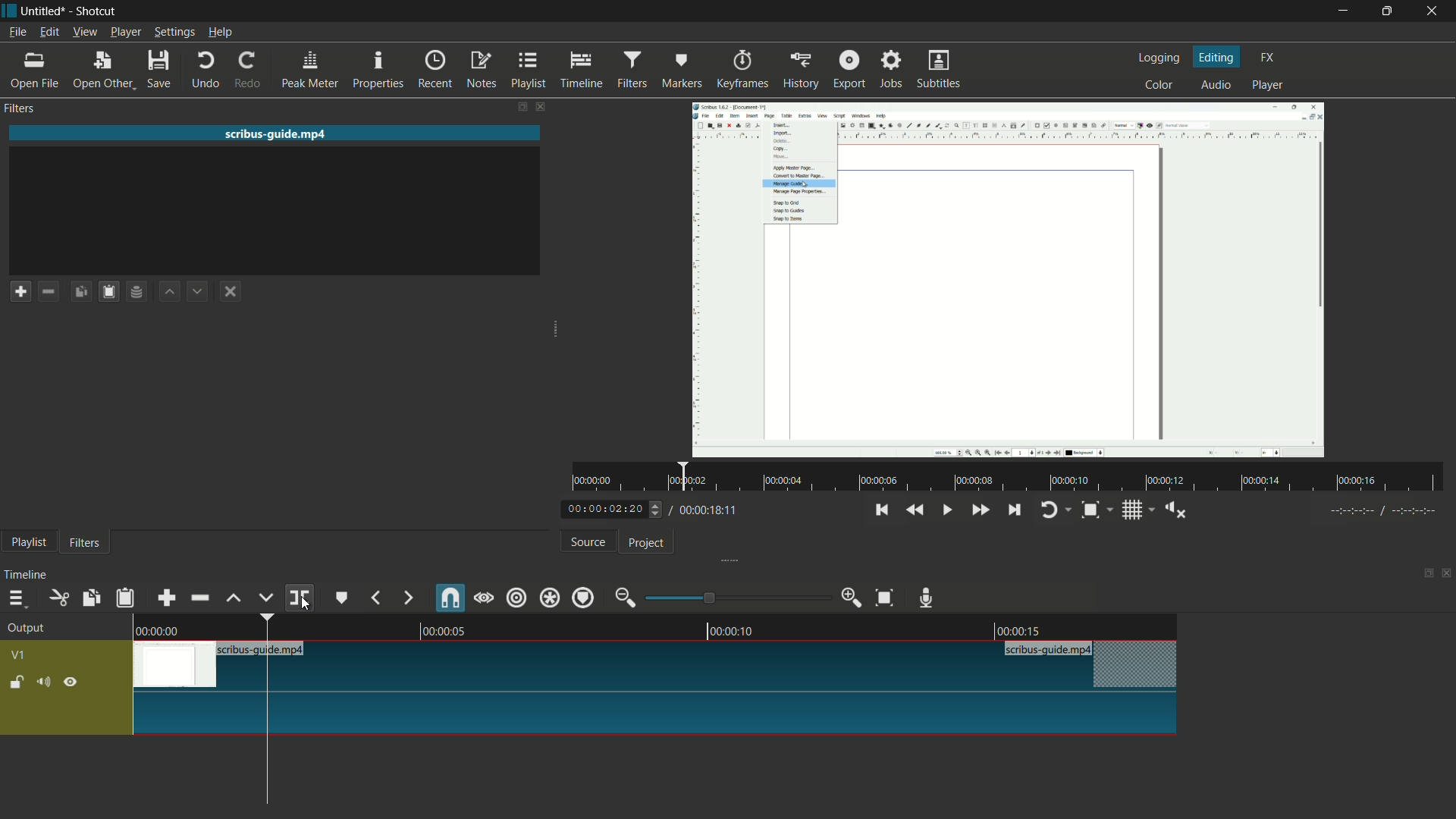 Image resolution: width=1456 pixels, height=819 pixels. Describe the element at coordinates (1157, 58) in the screenshot. I see `logging` at that location.